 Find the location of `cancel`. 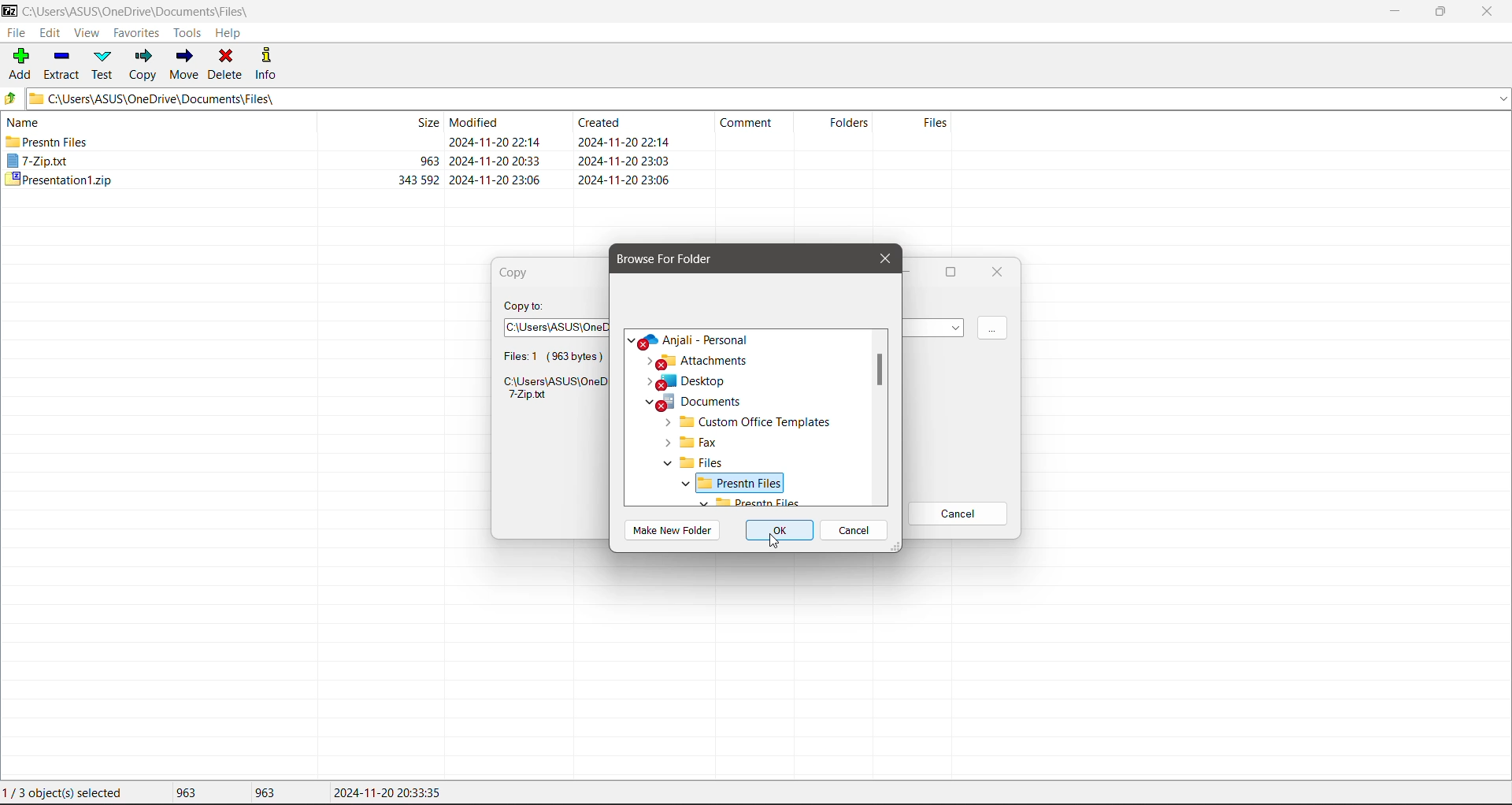

cancel is located at coordinates (853, 532).